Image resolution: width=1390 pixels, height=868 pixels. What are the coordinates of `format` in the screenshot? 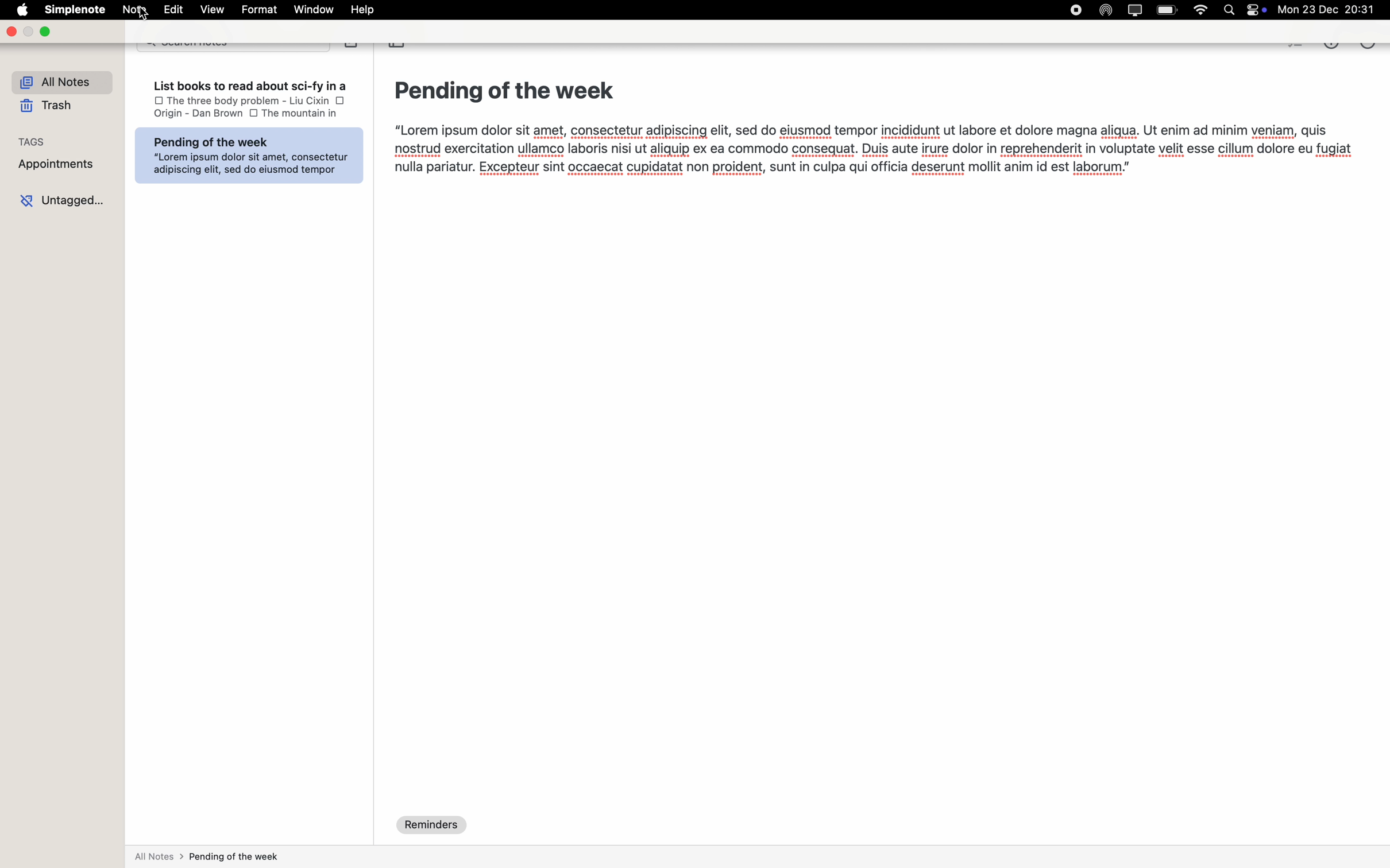 It's located at (258, 9).